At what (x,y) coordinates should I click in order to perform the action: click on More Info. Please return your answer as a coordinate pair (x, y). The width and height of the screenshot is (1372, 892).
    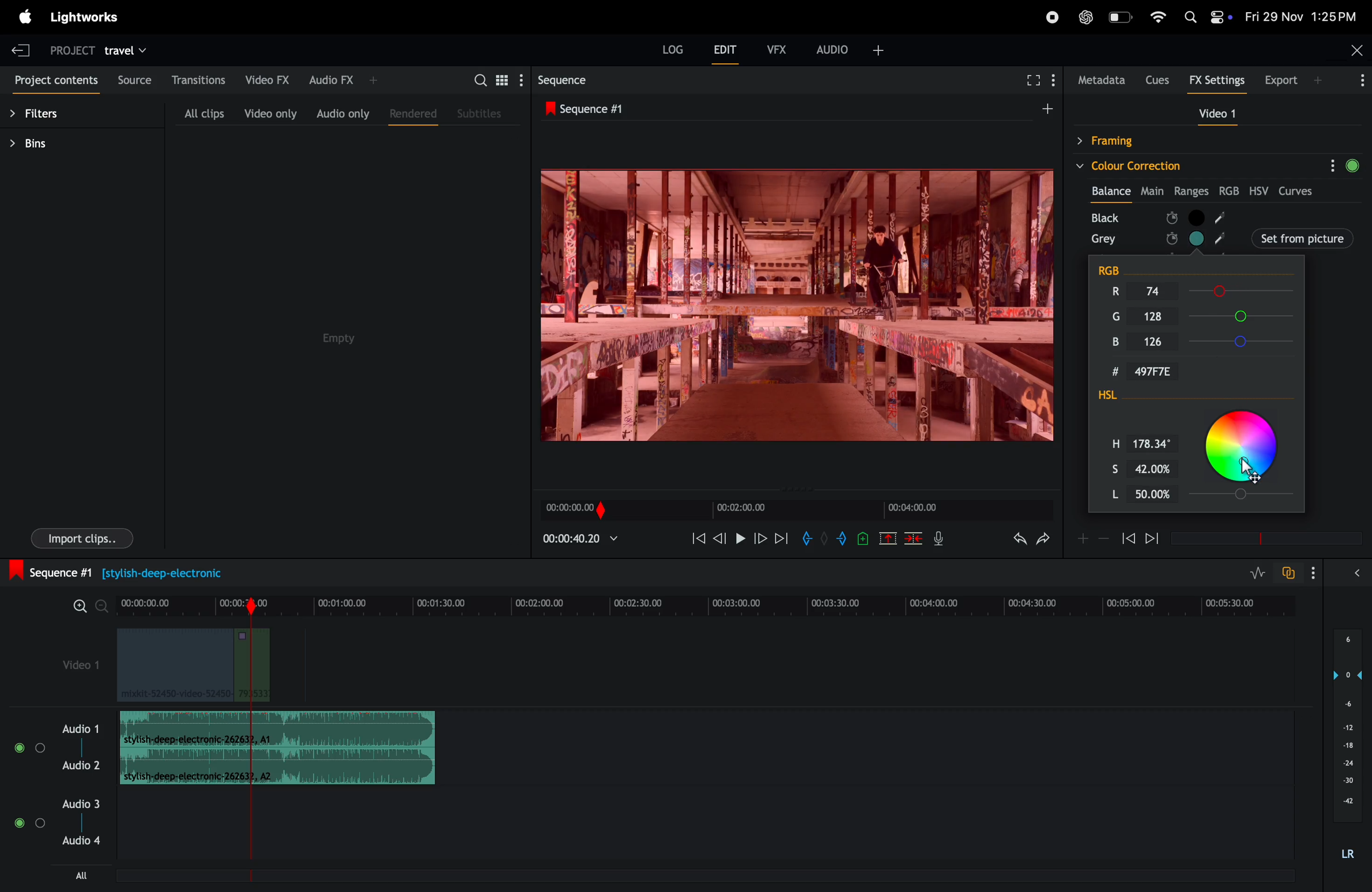
    Looking at the image, I should click on (1363, 84).